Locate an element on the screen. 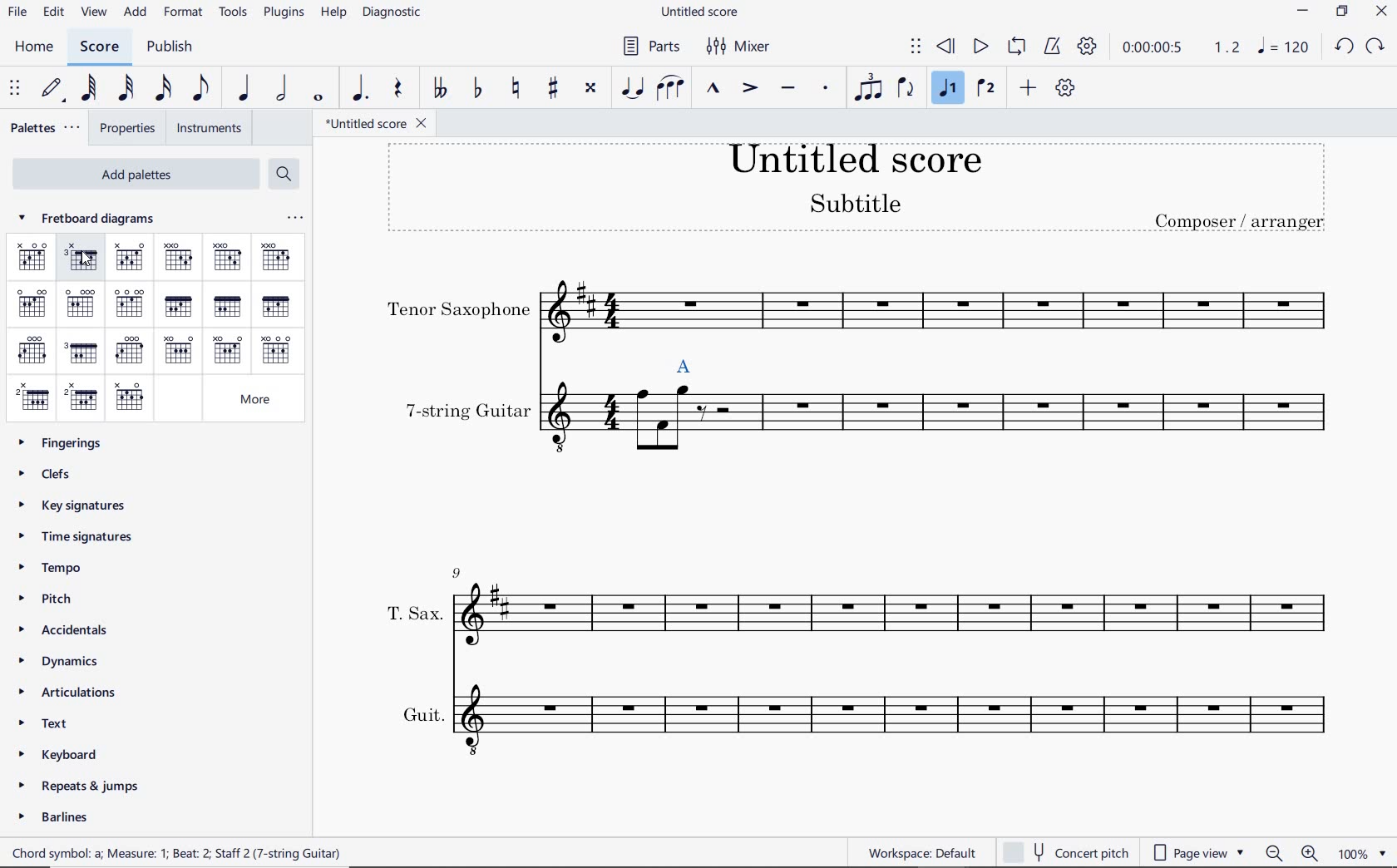 This screenshot has width=1397, height=868. TOGGLE DOUBLE-SHARP is located at coordinates (590, 87).